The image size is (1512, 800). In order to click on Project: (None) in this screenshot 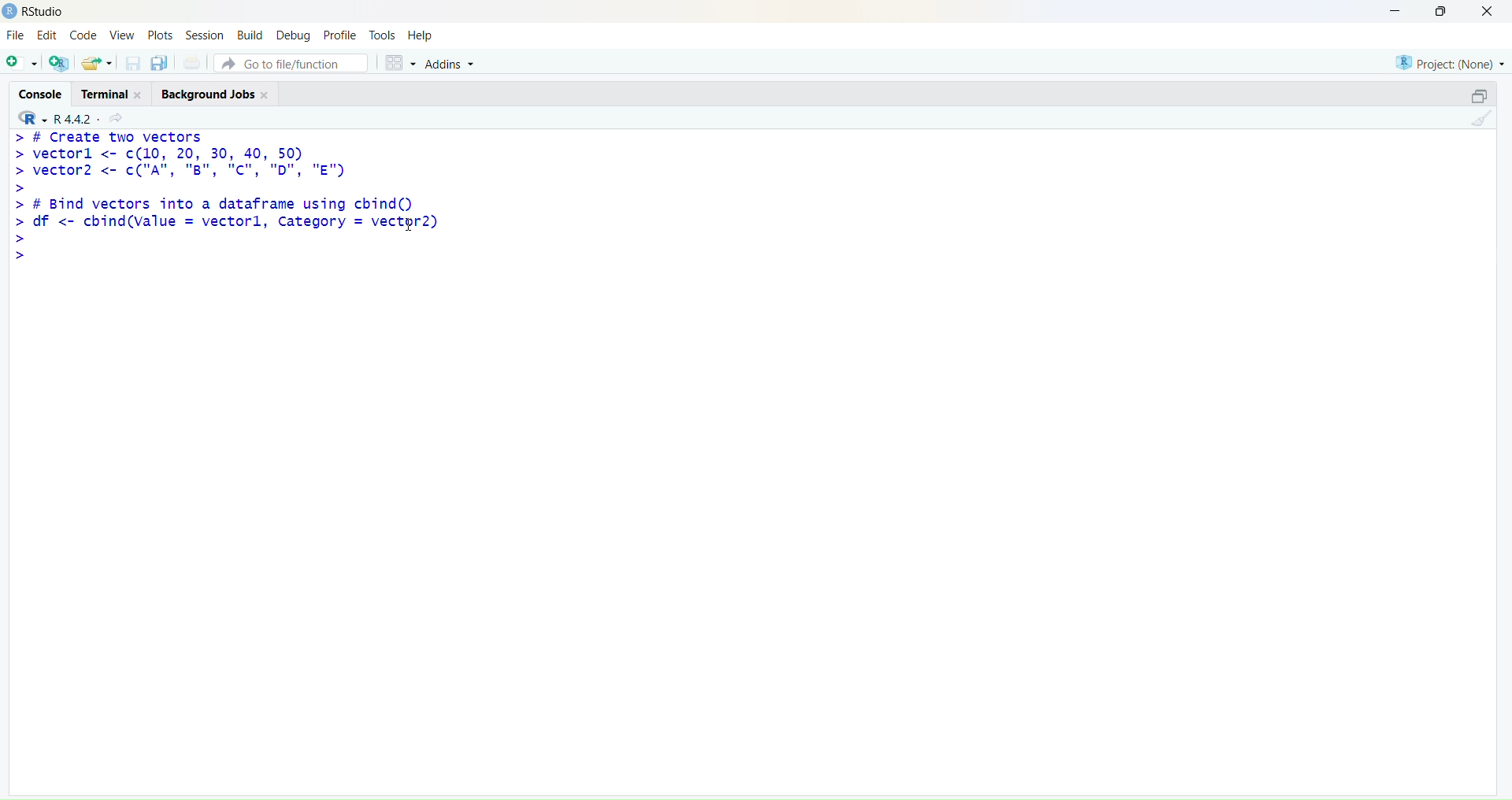, I will do `click(1448, 63)`.